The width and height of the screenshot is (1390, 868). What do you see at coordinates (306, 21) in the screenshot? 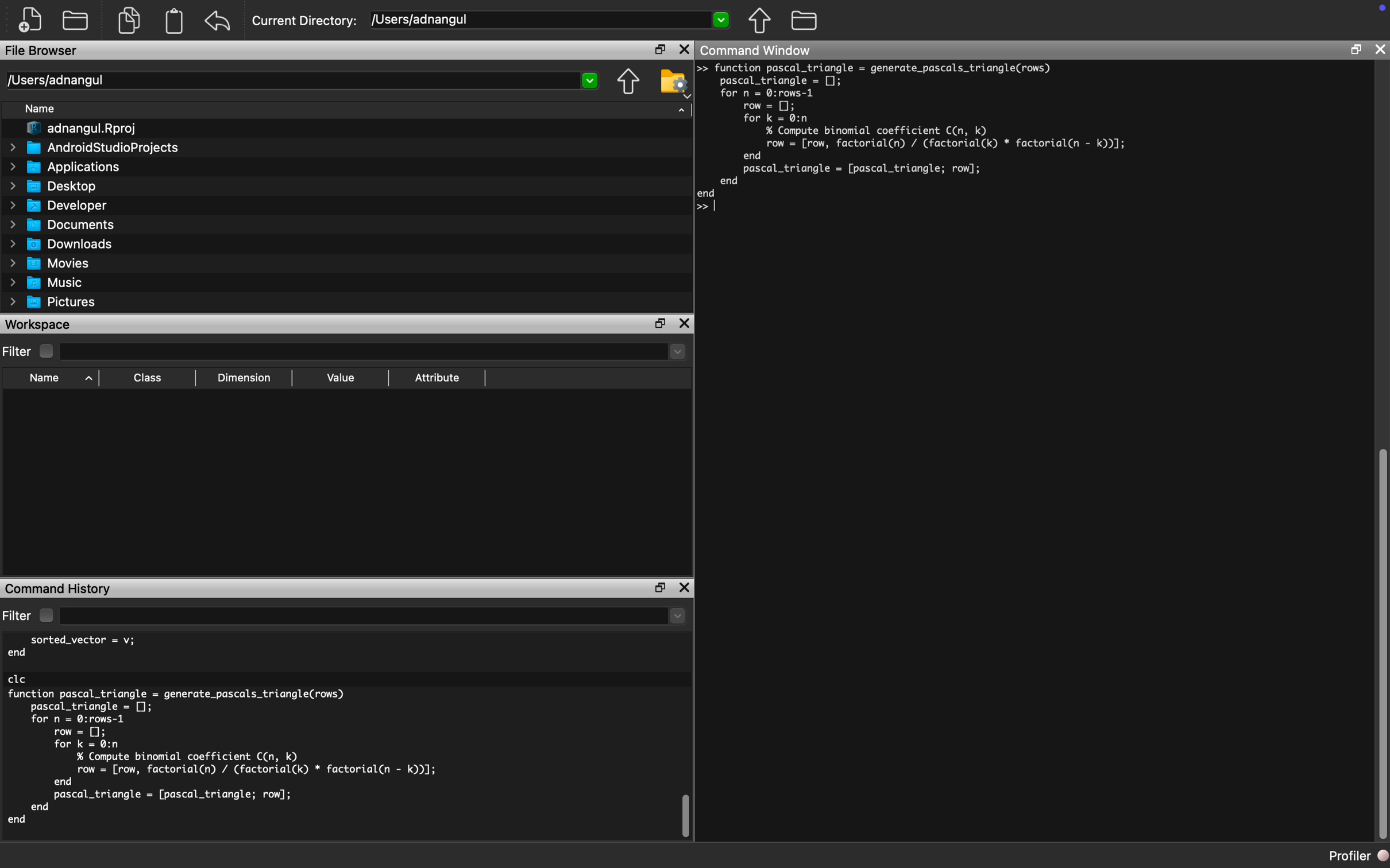
I see `Current Directory:` at bounding box center [306, 21].